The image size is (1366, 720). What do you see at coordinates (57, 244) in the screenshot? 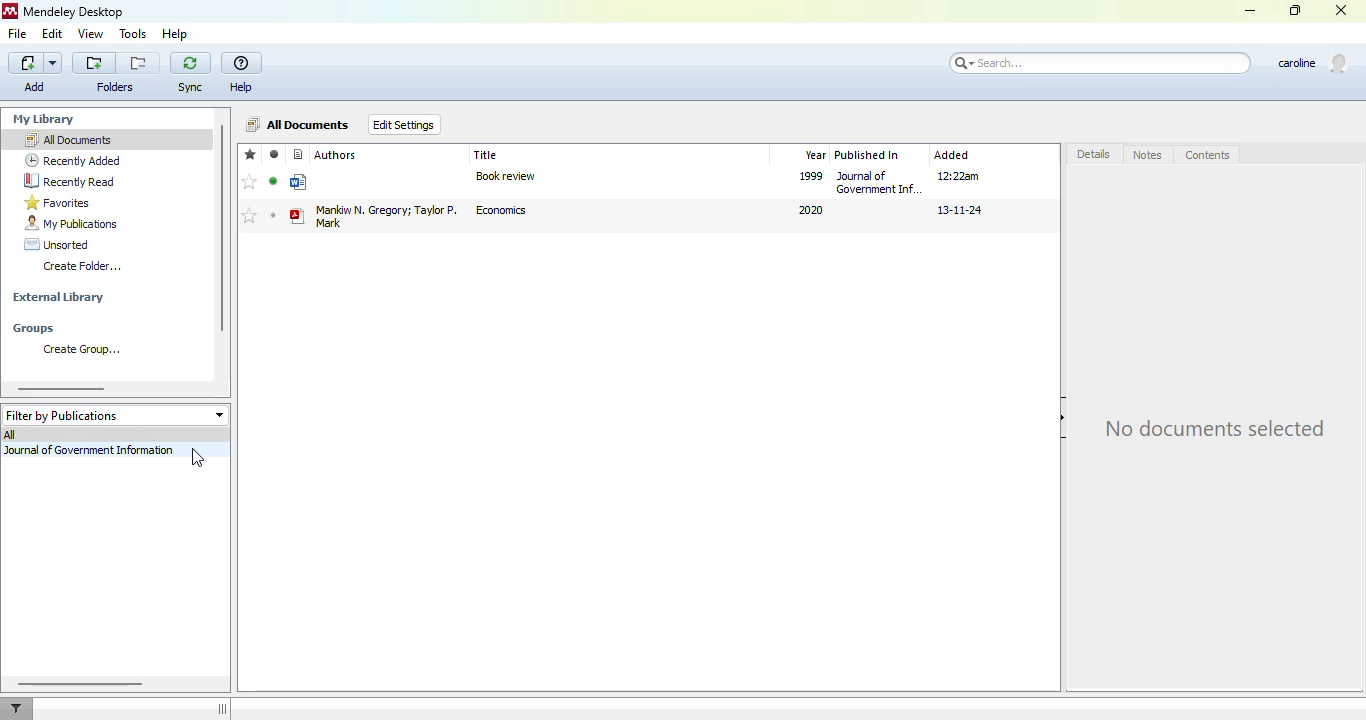
I see `unsorted` at bounding box center [57, 244].